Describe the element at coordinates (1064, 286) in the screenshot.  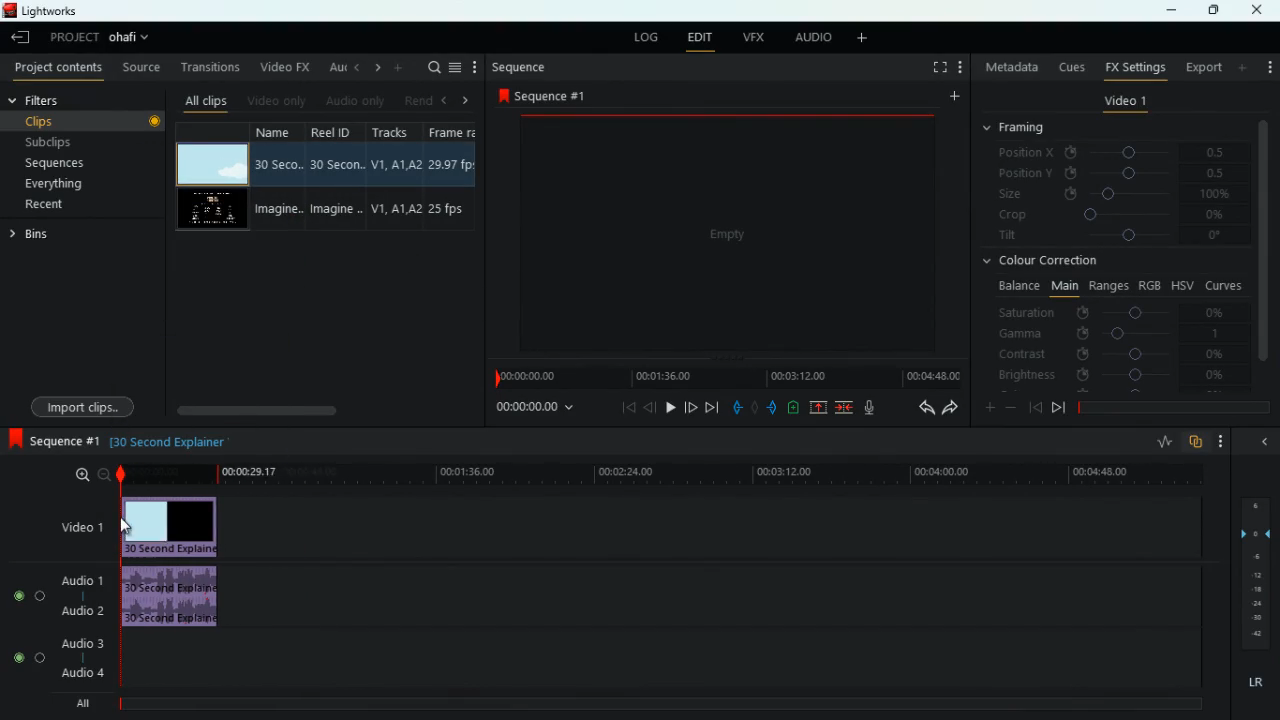
I see `main` at that location.